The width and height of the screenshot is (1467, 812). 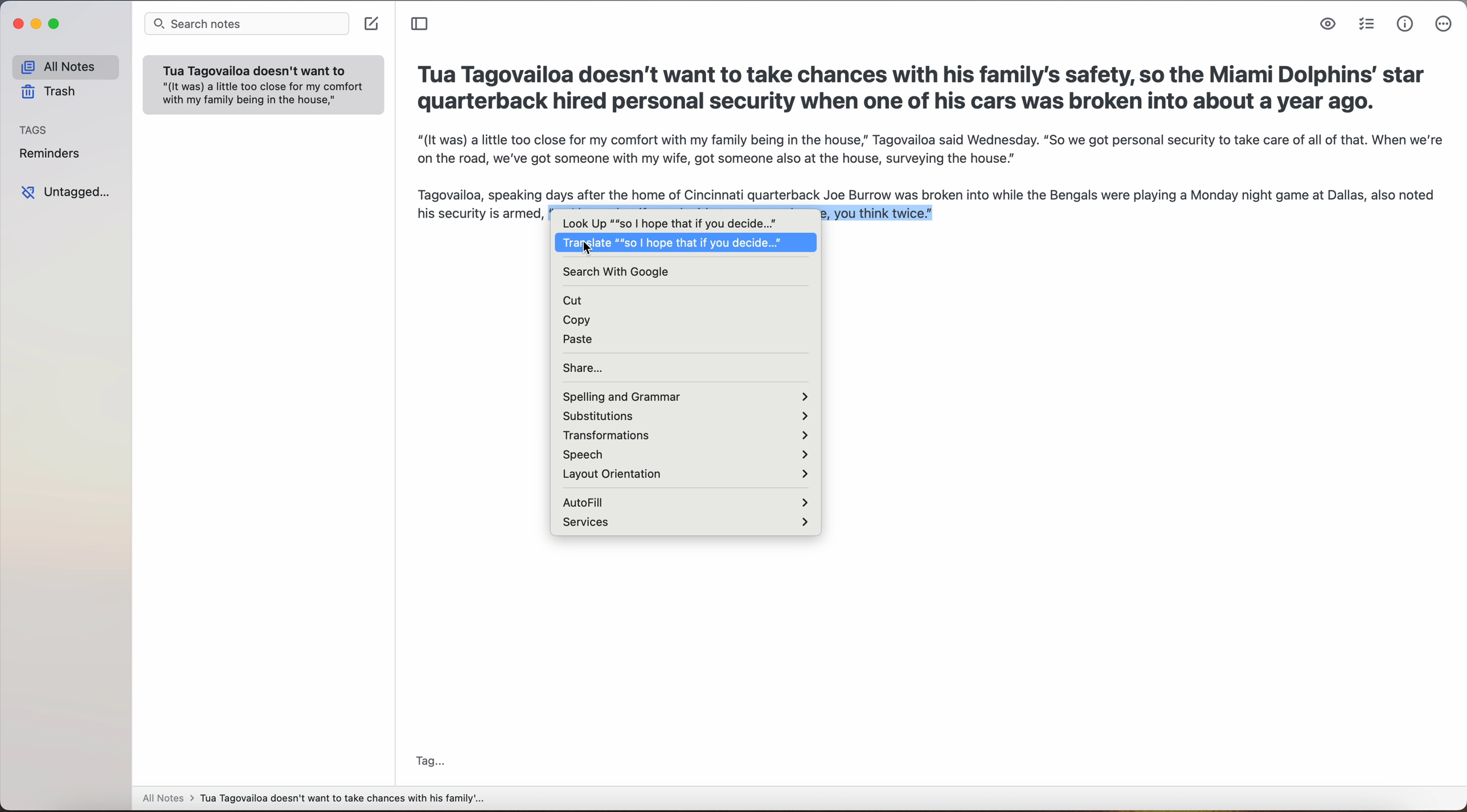 I want to click on paste, so click(x=576, y=340).